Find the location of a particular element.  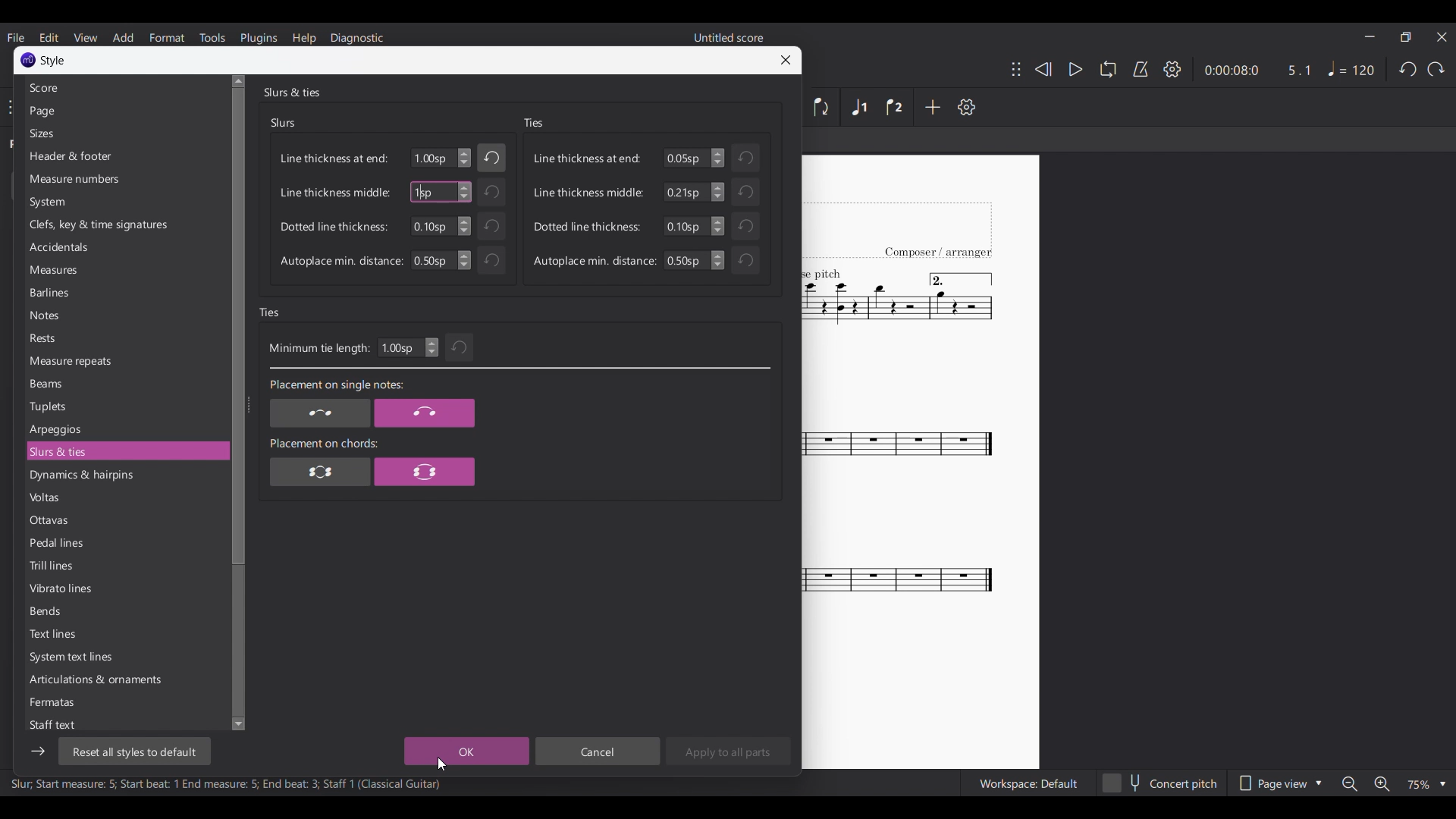

Measures is located at coordinates (124, 270).